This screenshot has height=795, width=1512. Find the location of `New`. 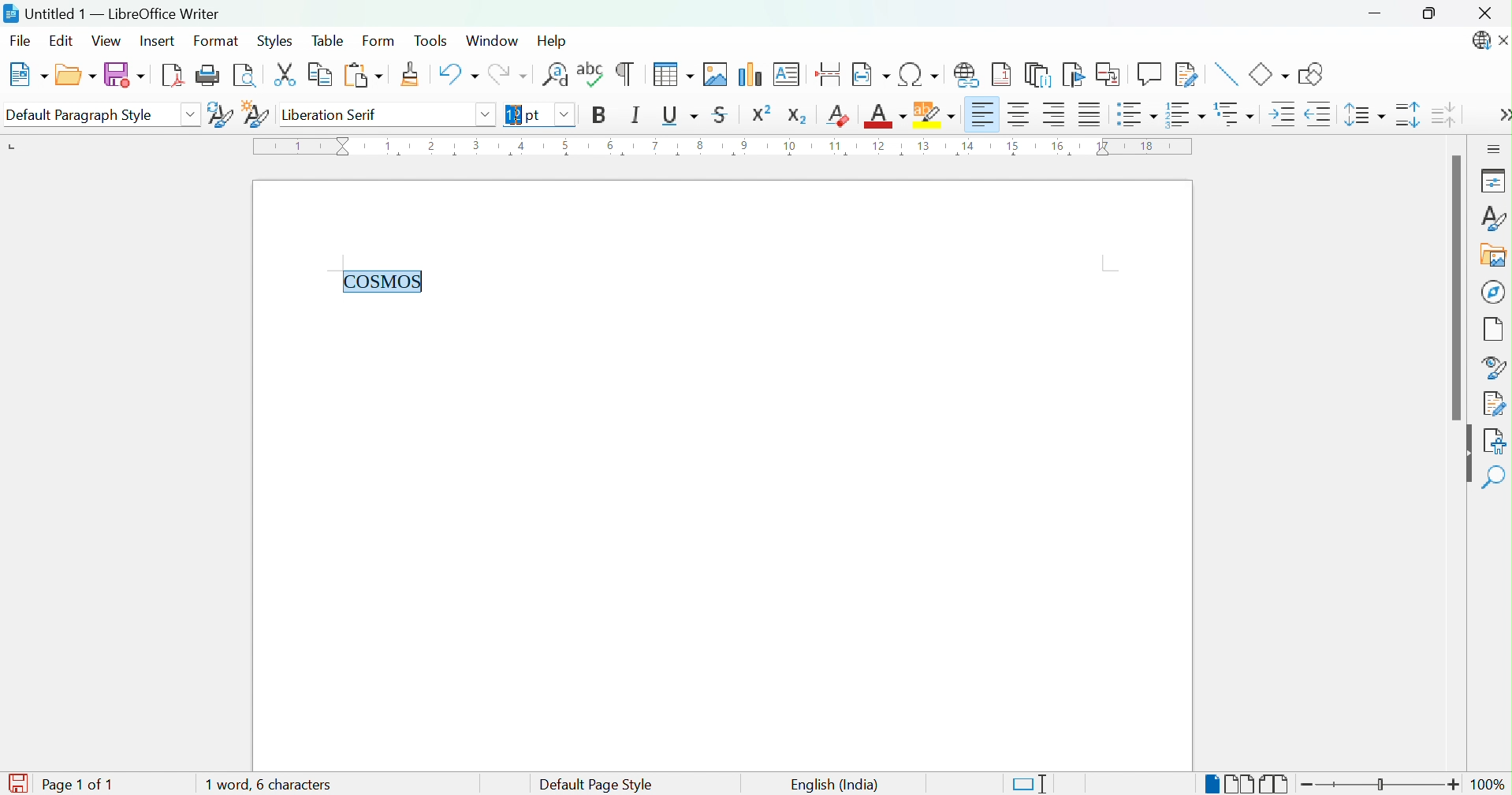

New is located at coordinates (28, 75).